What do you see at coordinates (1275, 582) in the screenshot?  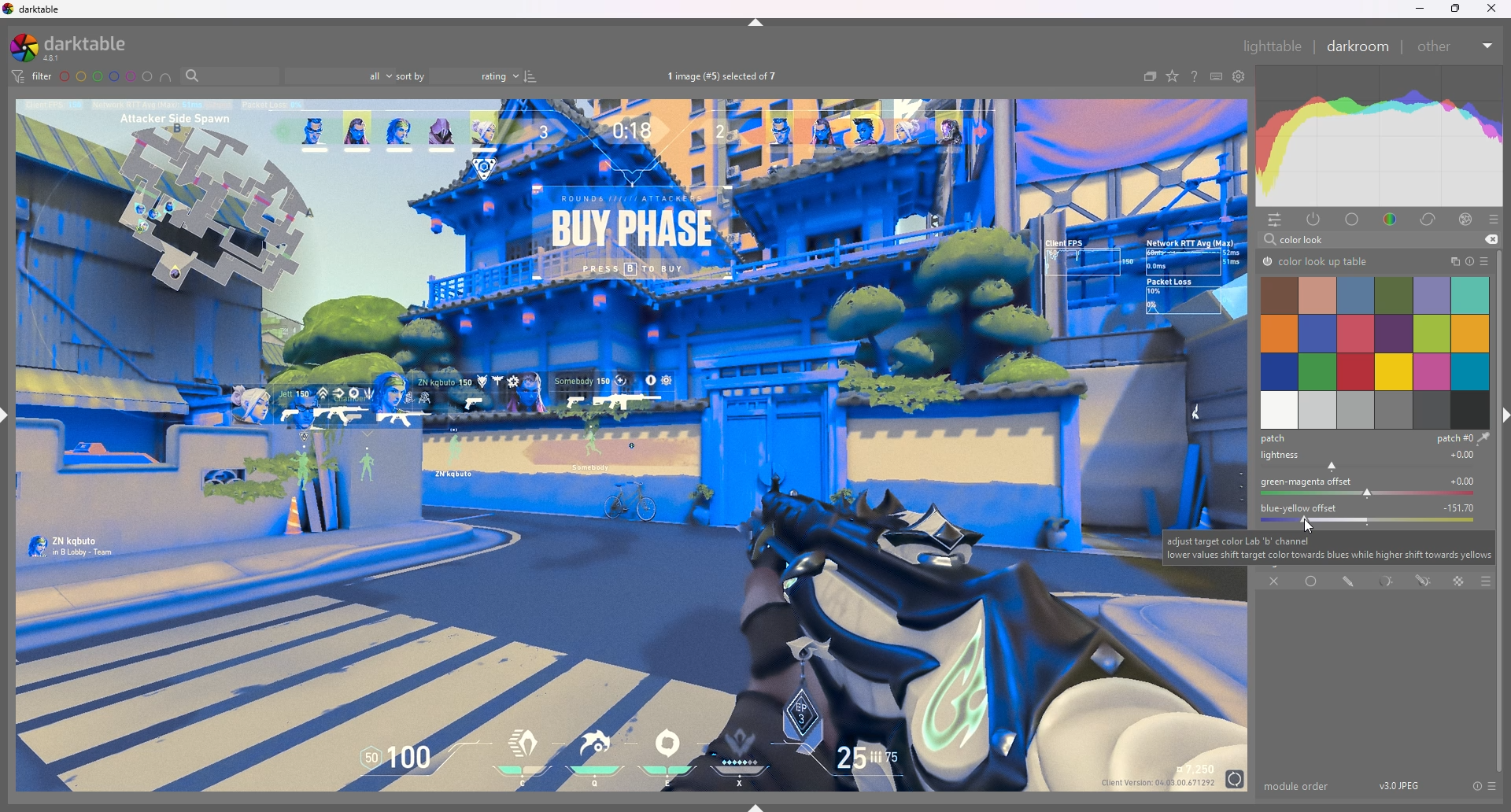 I see `off` at bounding box center [1275, 582].